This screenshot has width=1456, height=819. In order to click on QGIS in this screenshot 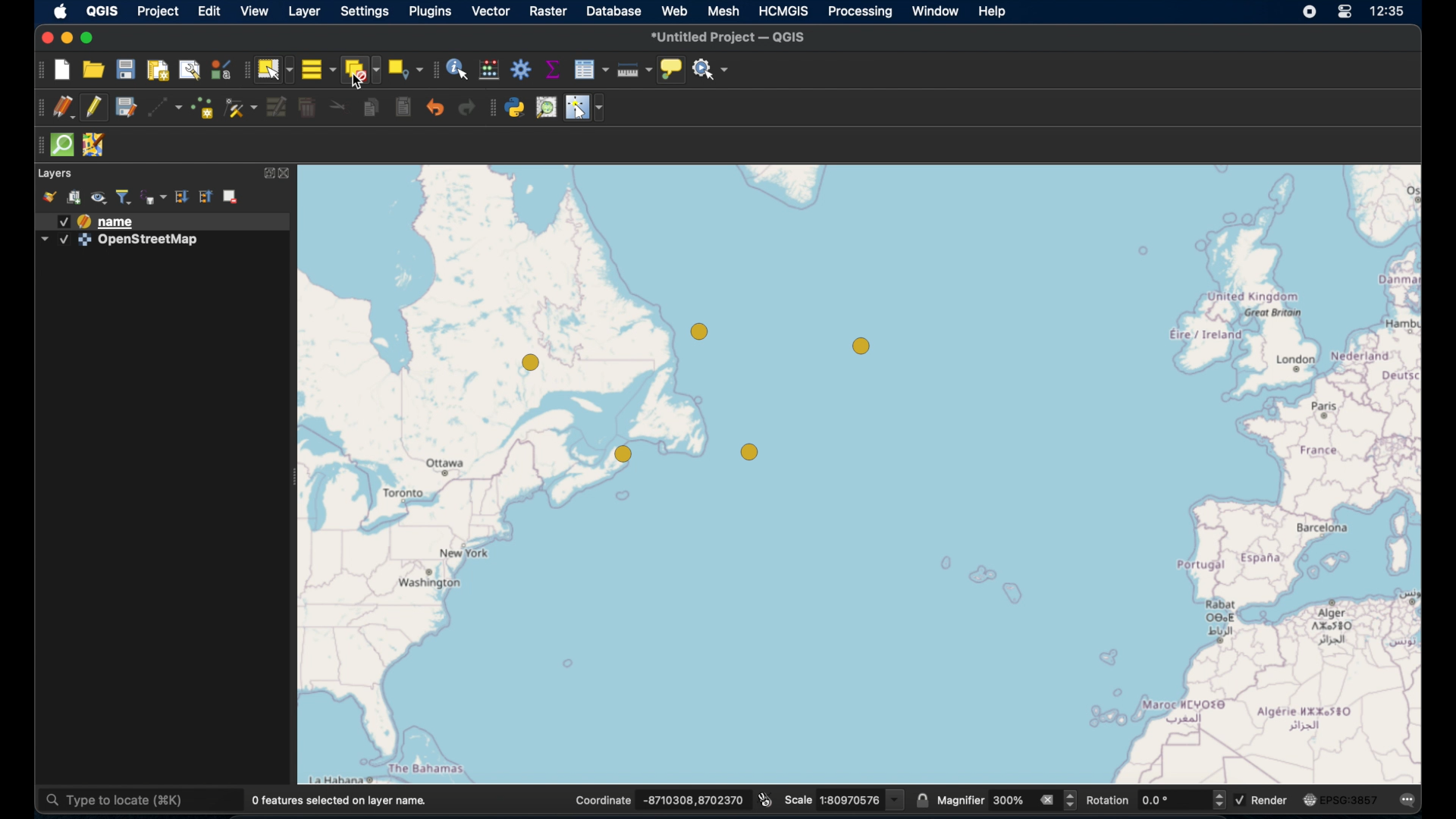, I will do `click(102, 12)`.